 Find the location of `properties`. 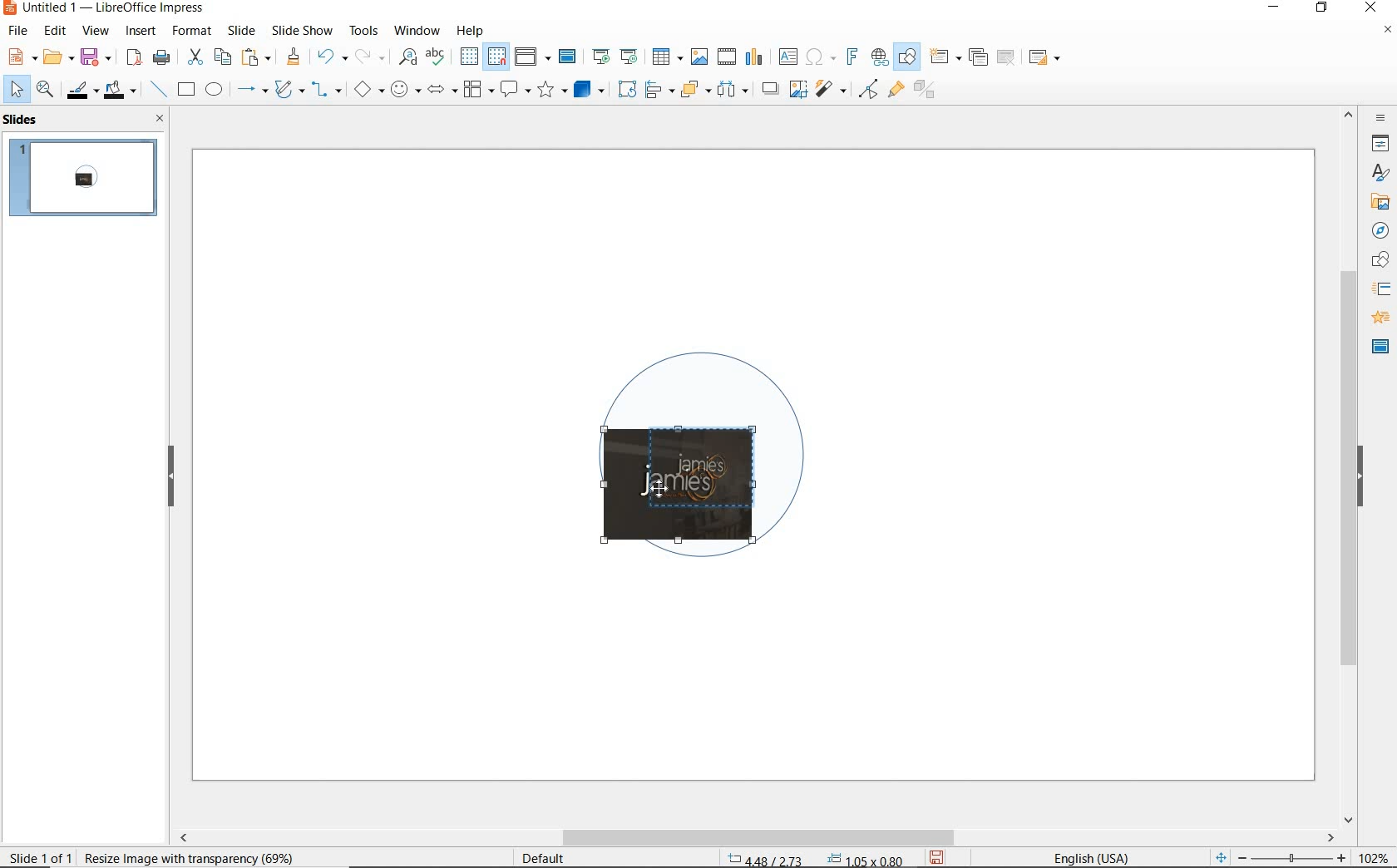

properties is located at coordinates (1379, 143).